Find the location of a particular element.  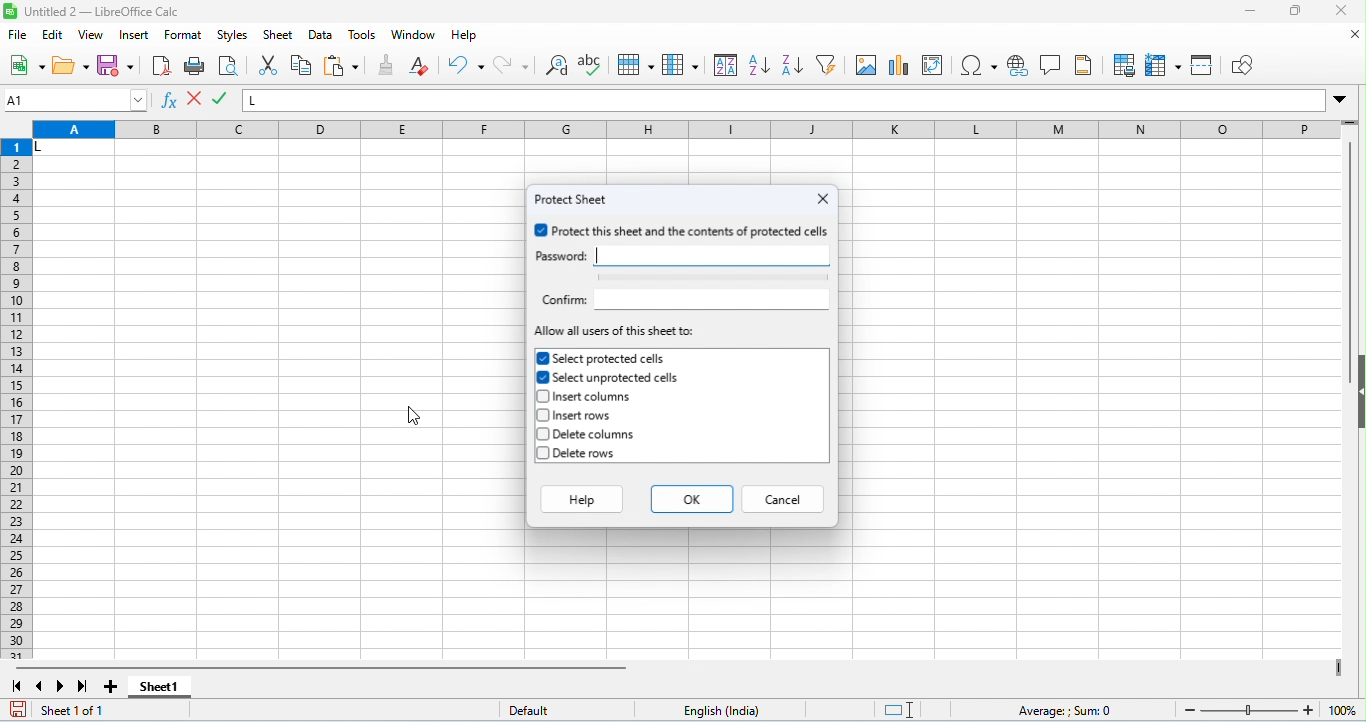

copy is located at coordinates (301, 65).